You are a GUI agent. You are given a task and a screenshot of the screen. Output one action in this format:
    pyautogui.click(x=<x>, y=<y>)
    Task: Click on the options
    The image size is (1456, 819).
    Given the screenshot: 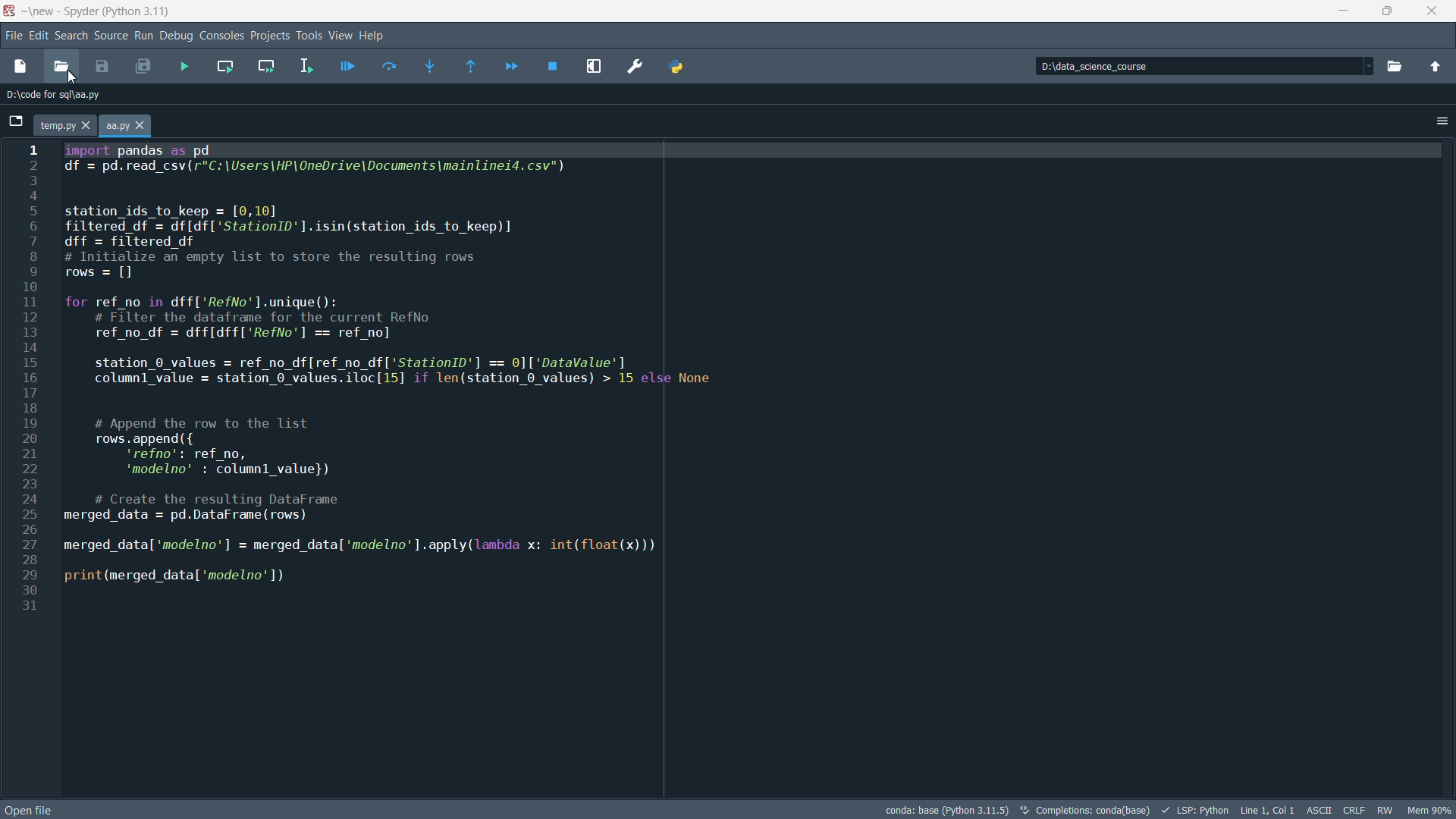 What is the action you would take?
    pyautogui.click(x=1441, y=121)
    